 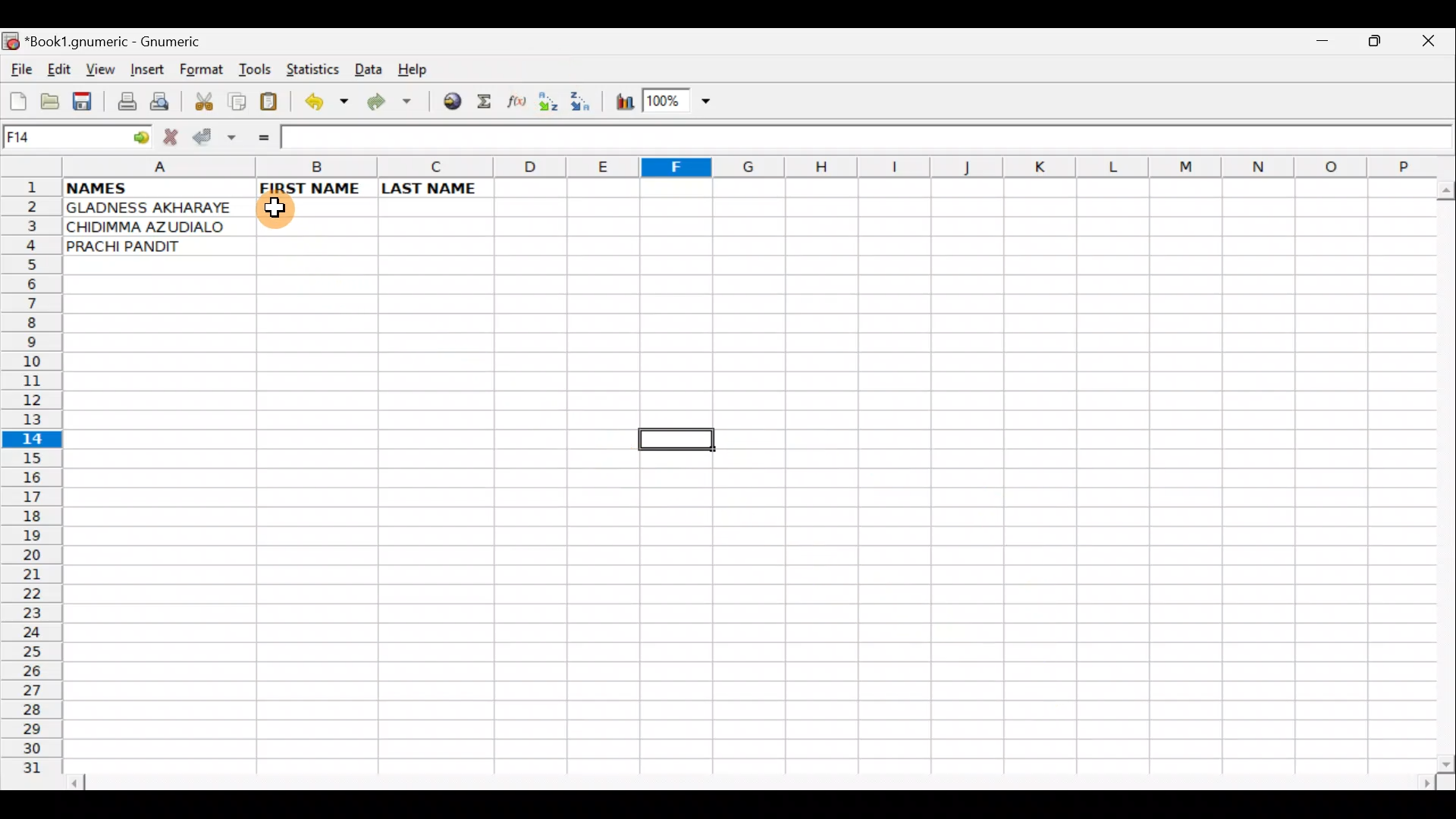 I want to click on Sort Ascending order, so click(x=553, y=105).